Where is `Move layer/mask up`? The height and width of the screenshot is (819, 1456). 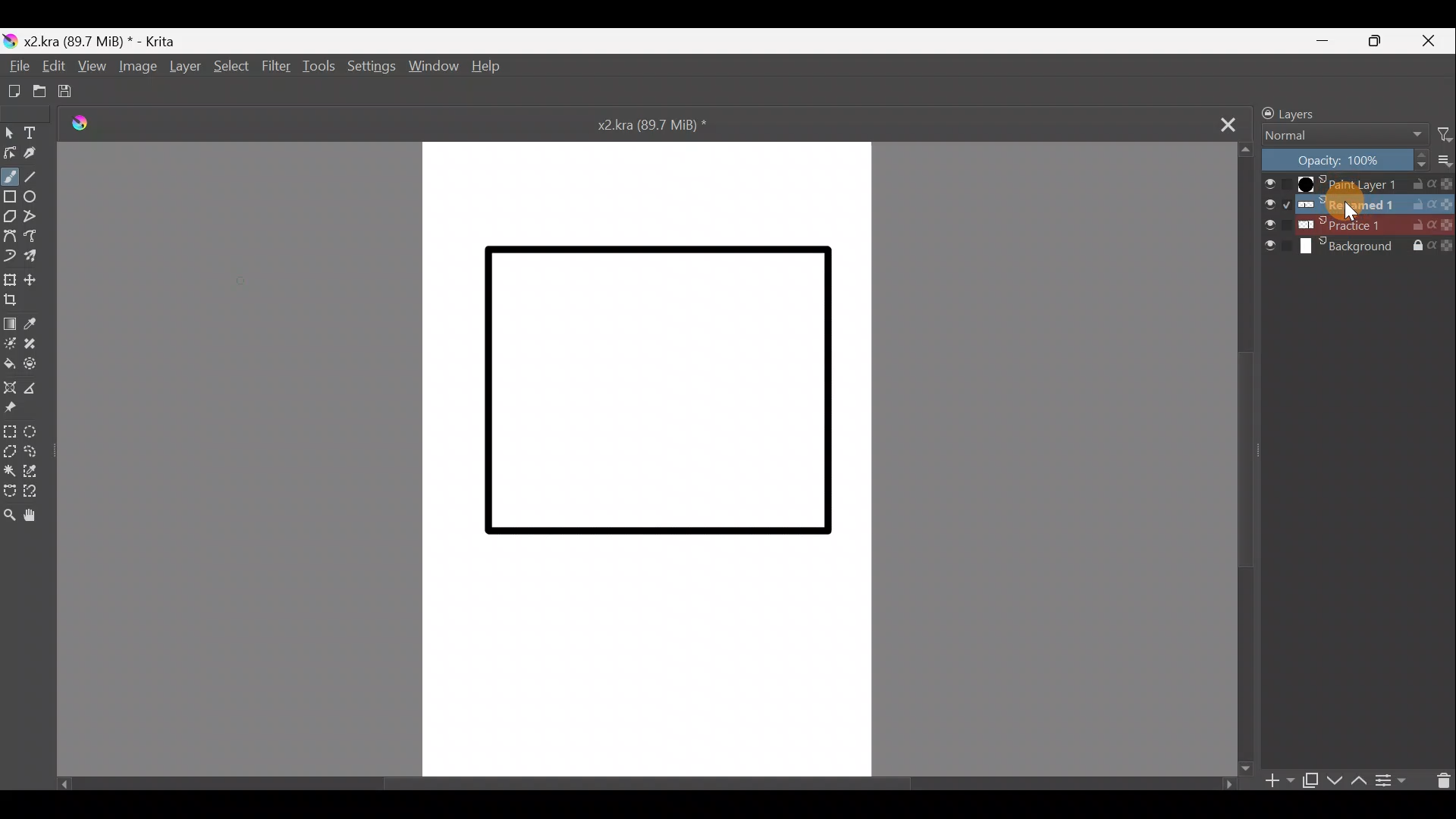 Move layer/mask up is located at coordinates (1360, 780).